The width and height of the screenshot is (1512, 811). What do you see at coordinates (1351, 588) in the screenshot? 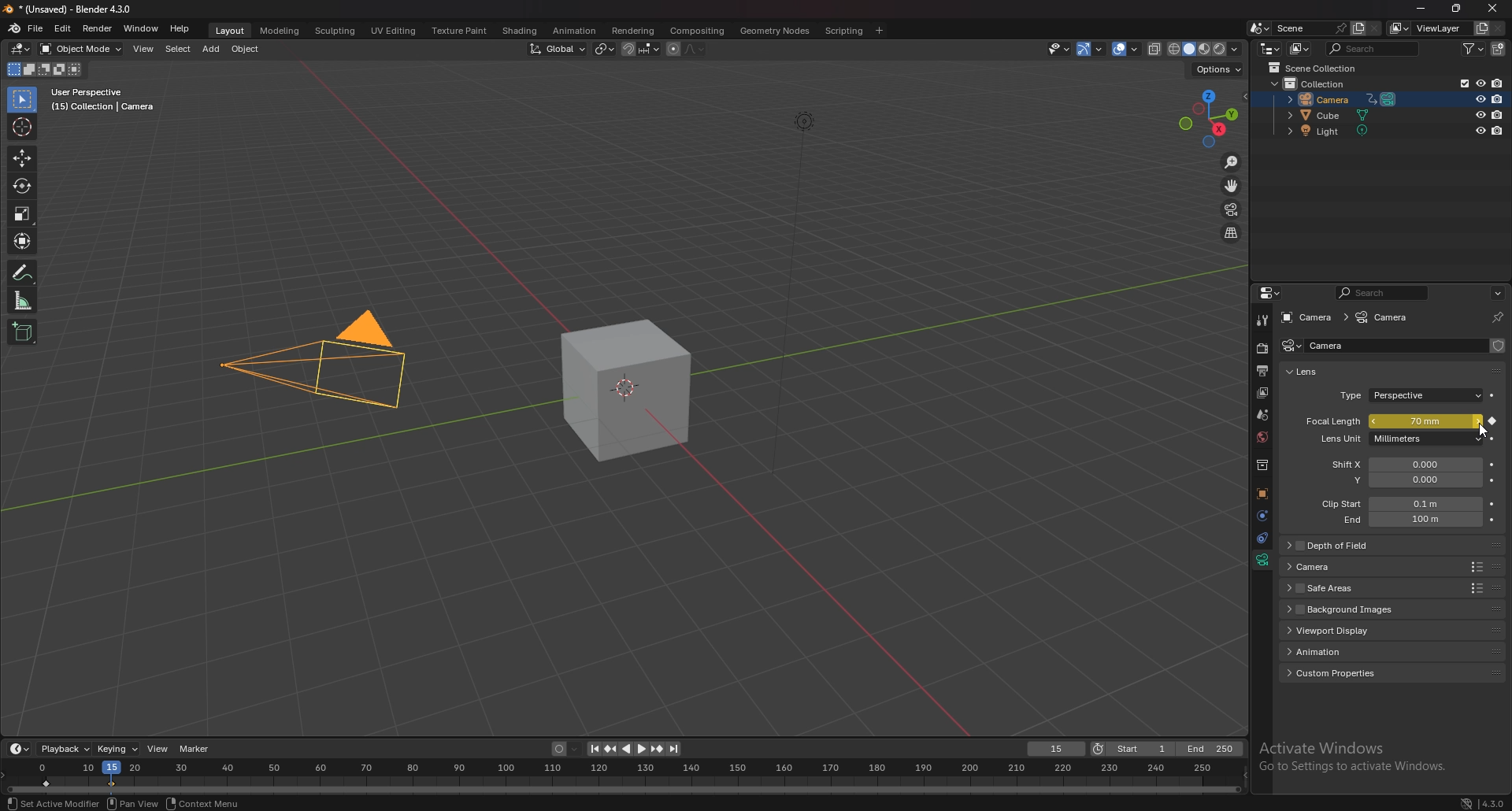
I see `safe areas` at bounding box center [1351, 588].